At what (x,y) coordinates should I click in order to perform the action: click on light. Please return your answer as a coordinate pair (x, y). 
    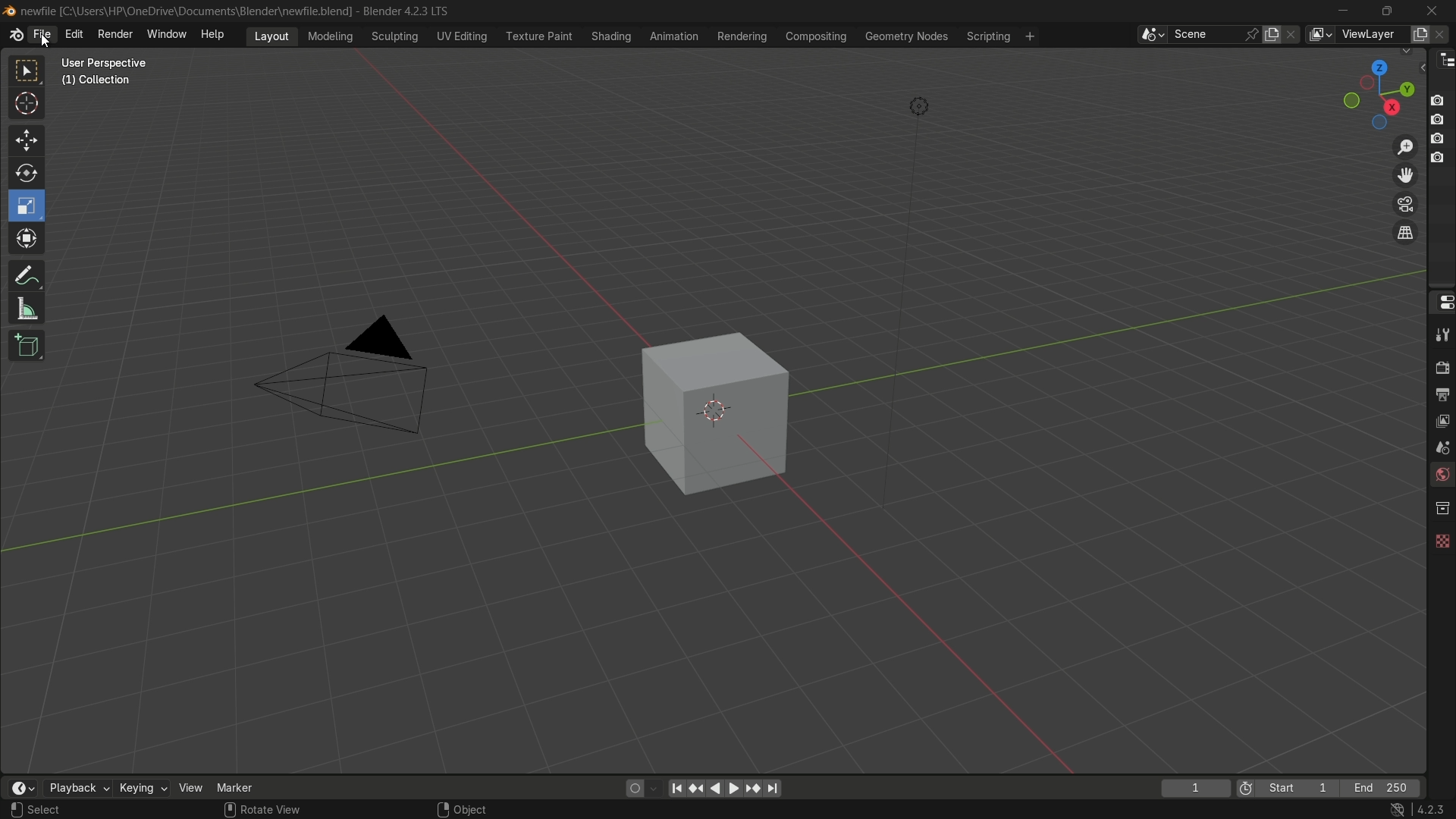
    Looking at the image, I should click on (919, 109).